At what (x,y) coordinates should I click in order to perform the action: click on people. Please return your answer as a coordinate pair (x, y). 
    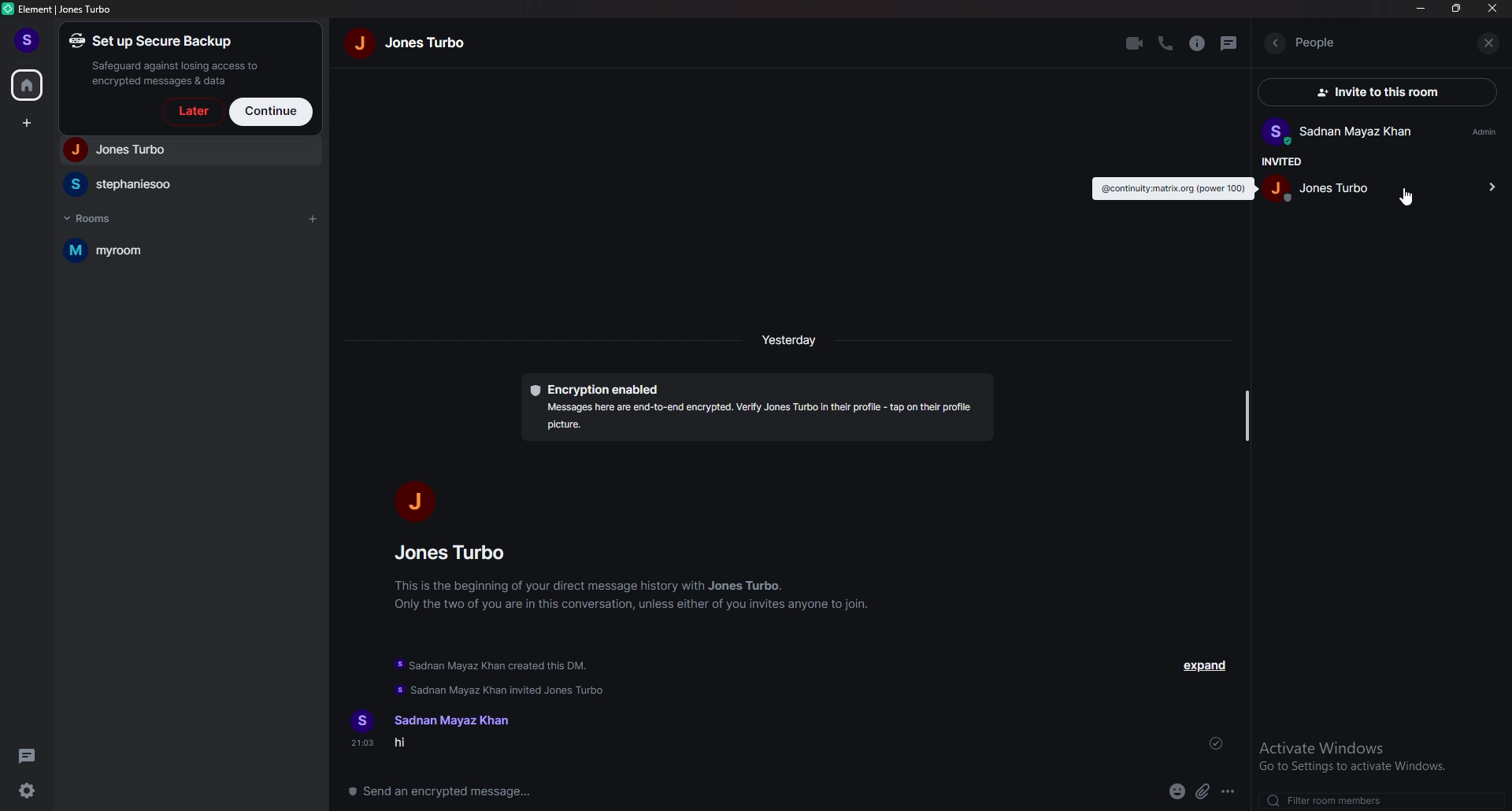
    Looking at the image, I should click on (1327, 186).